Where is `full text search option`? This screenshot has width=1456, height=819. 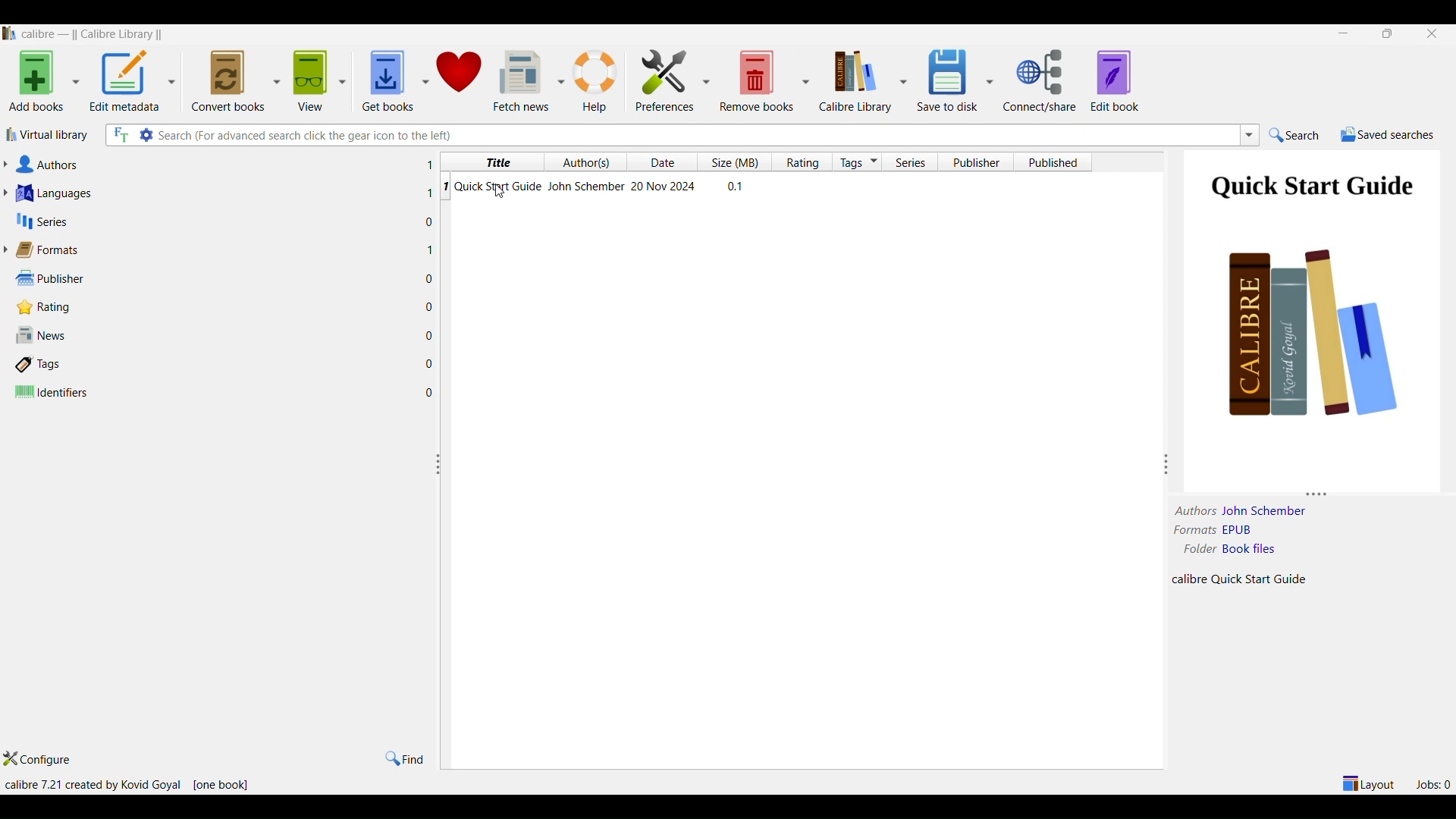
full text search option is located at coordinates (121, 134).